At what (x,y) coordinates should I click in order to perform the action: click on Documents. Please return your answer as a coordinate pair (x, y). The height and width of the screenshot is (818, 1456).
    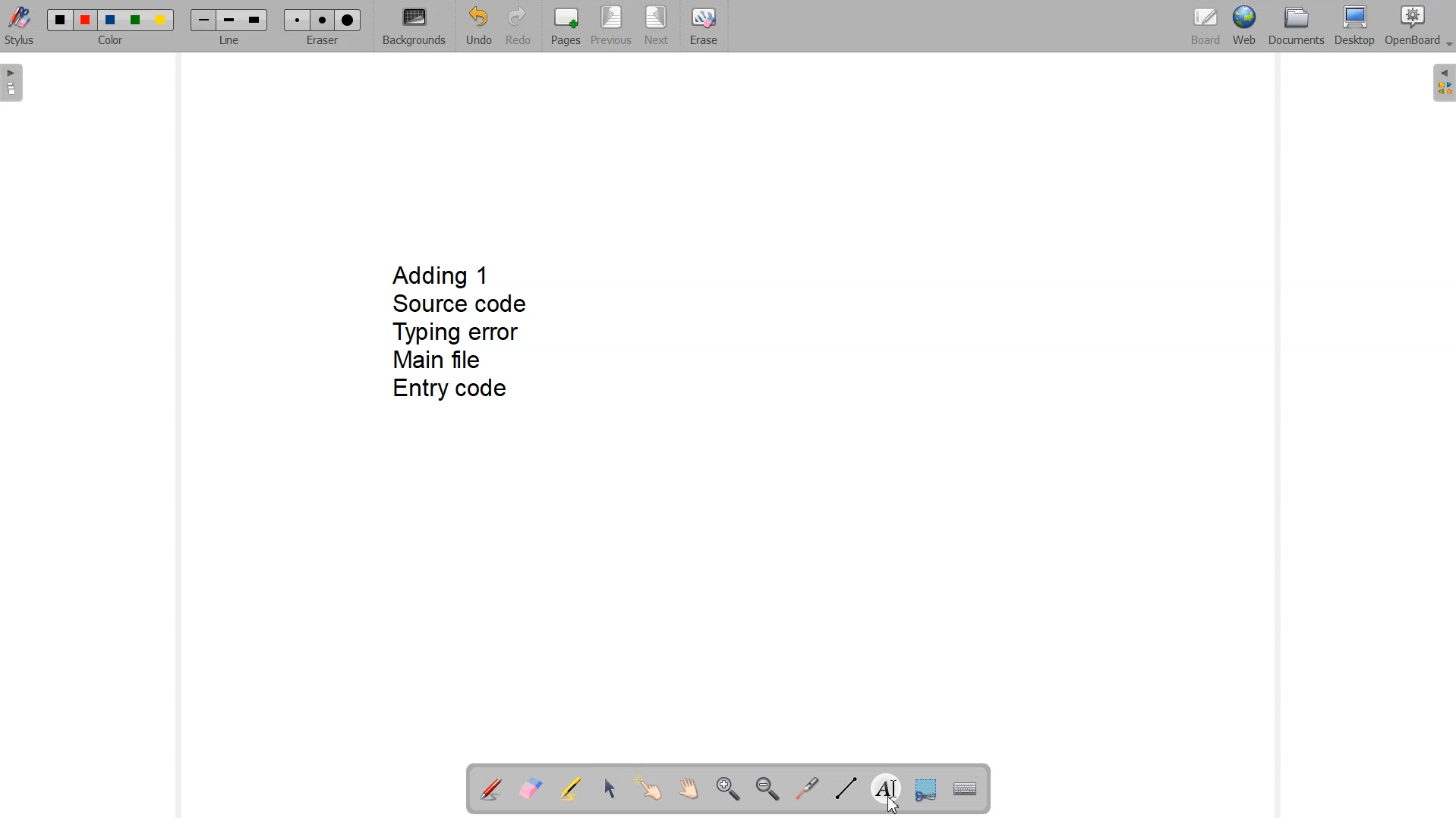
    Looking at the image, I should click on (1297, 27).